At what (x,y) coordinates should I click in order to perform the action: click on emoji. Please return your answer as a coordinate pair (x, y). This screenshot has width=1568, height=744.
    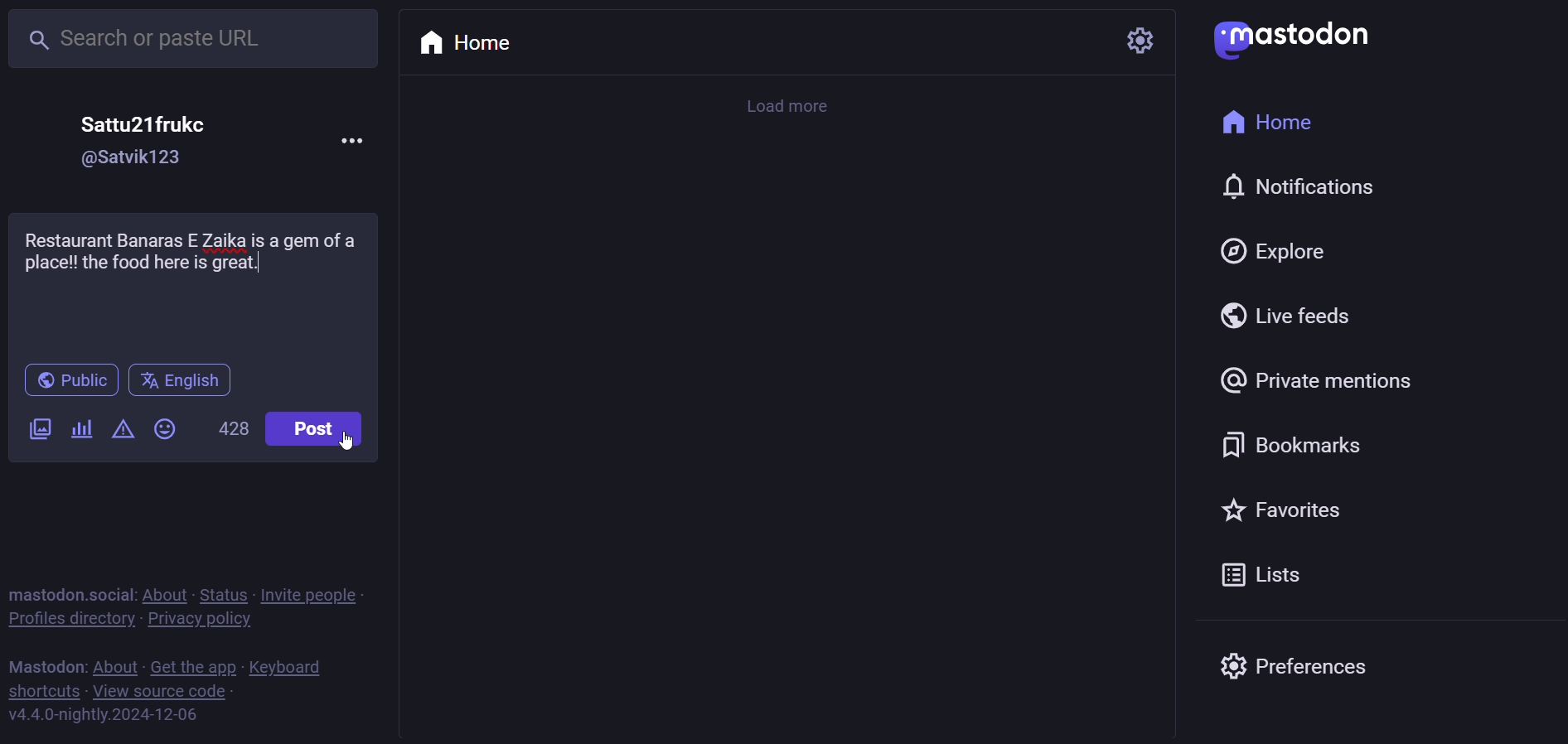
    Looking at the image, I should click on (162, 428).